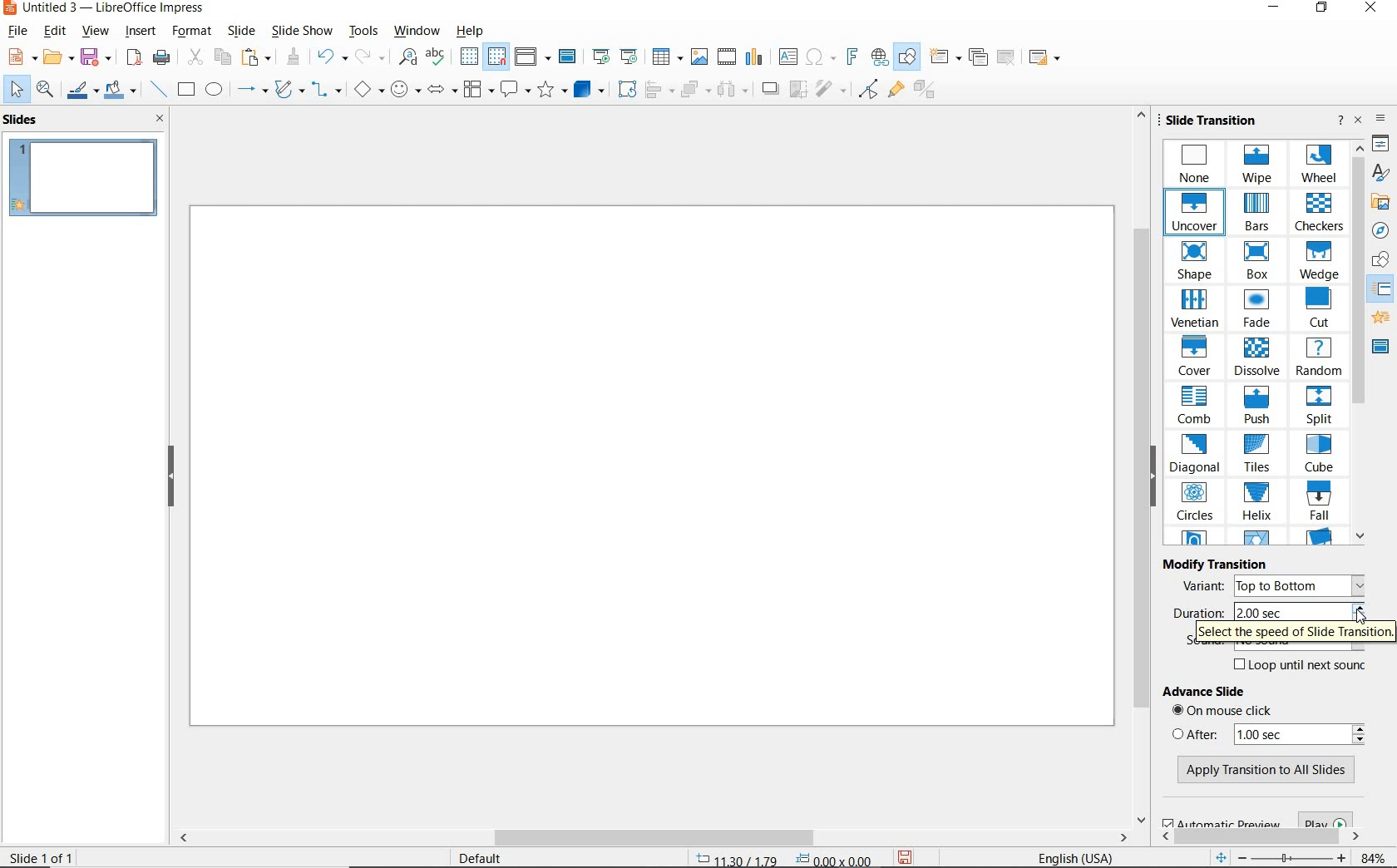  I want to click on ROTATE, so click(625, 89).